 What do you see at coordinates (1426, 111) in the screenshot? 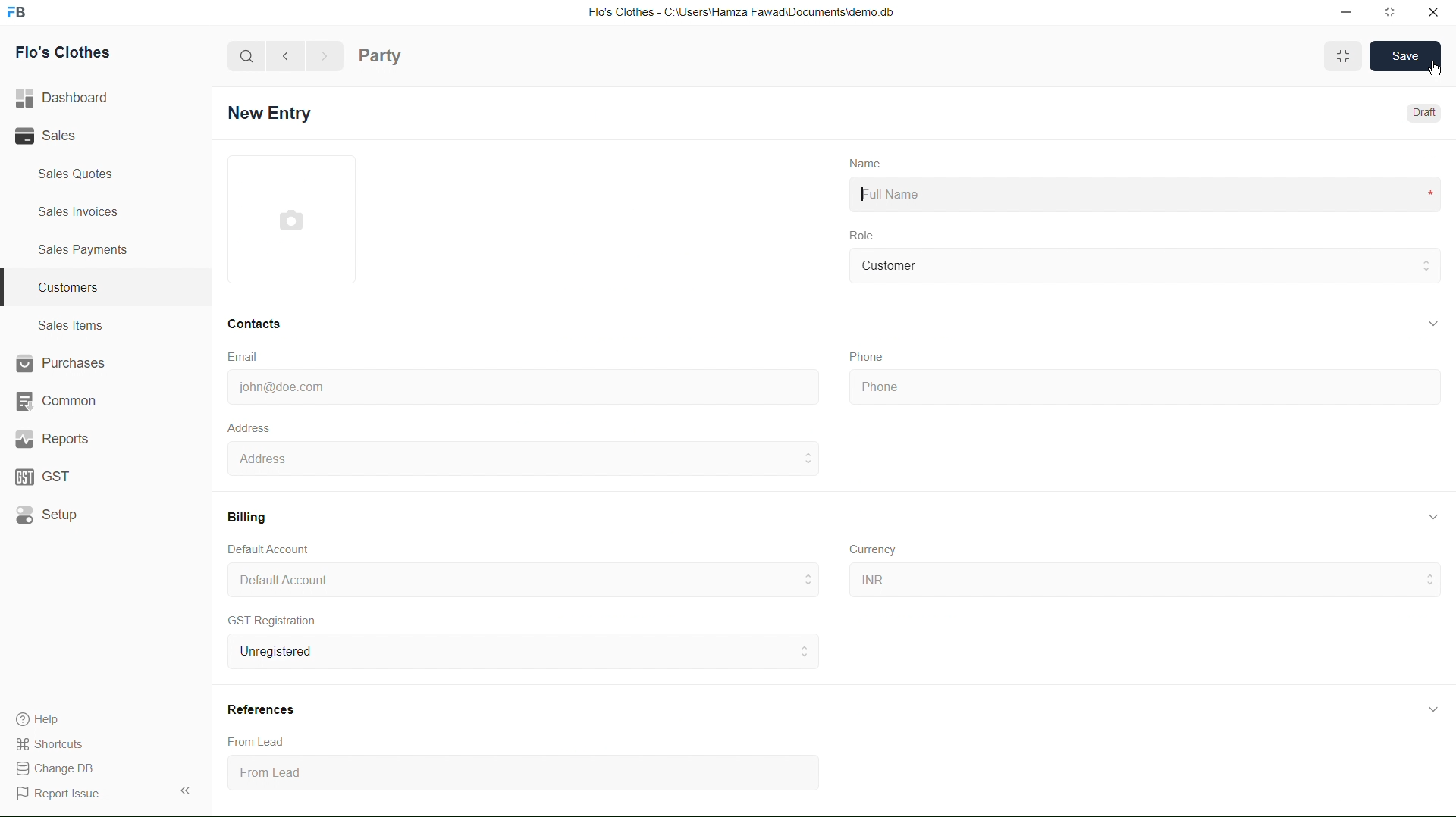
I see `Draft` at bounding box center [1426, 111].